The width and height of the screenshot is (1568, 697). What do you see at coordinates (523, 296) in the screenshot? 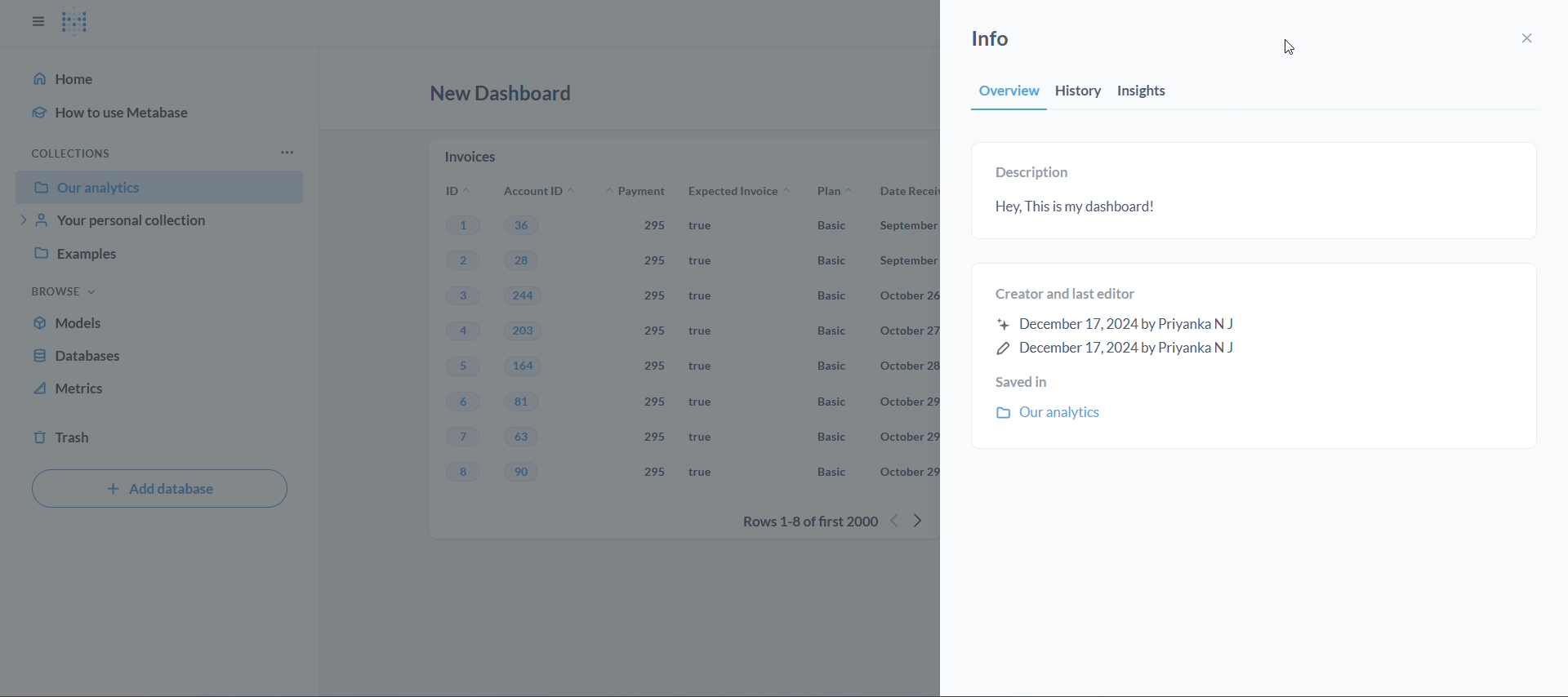
I see `244` at bounding box center [523, 296].